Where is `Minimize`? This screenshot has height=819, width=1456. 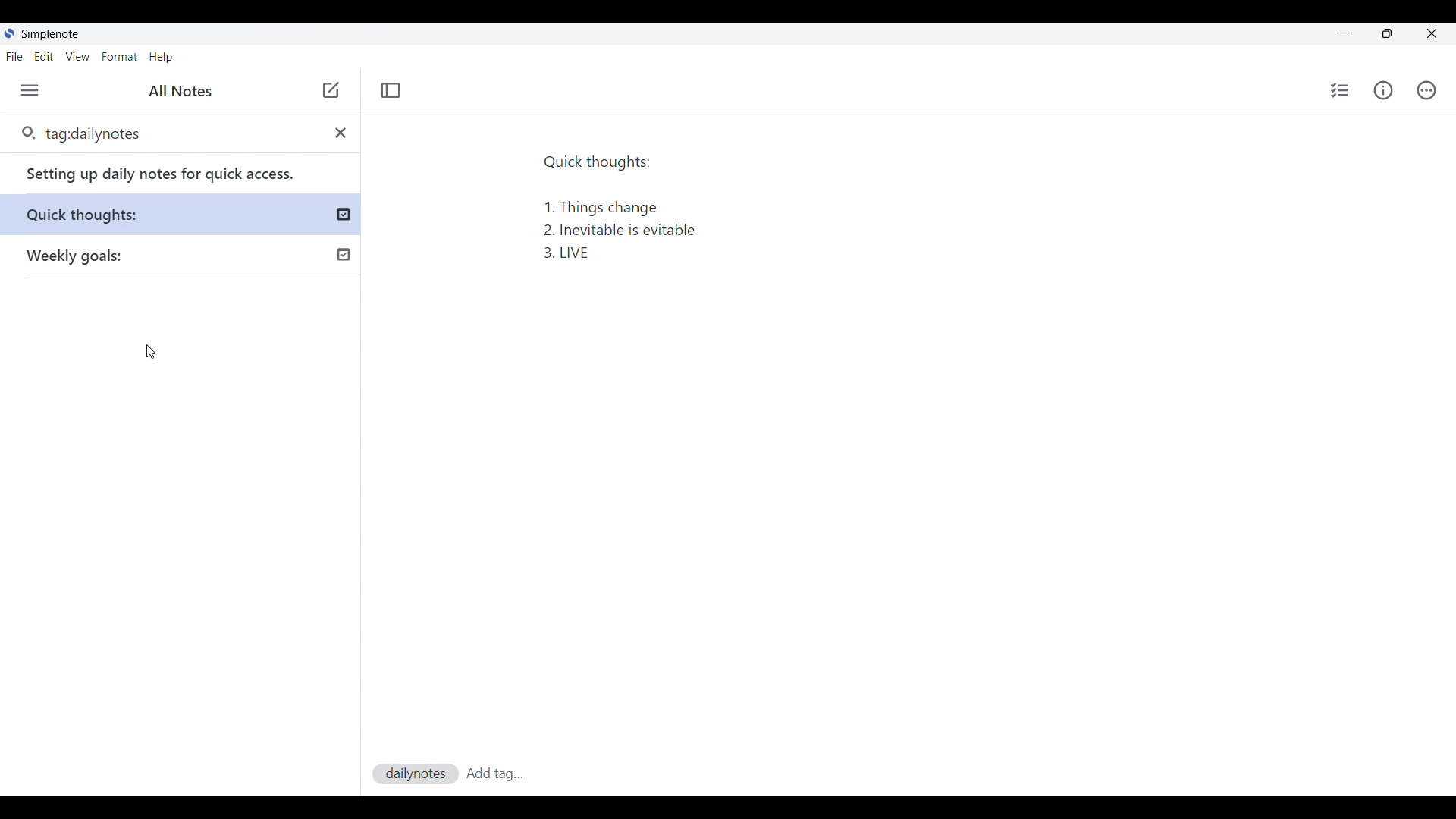
Minimize is located at coordinates (1343, 33).